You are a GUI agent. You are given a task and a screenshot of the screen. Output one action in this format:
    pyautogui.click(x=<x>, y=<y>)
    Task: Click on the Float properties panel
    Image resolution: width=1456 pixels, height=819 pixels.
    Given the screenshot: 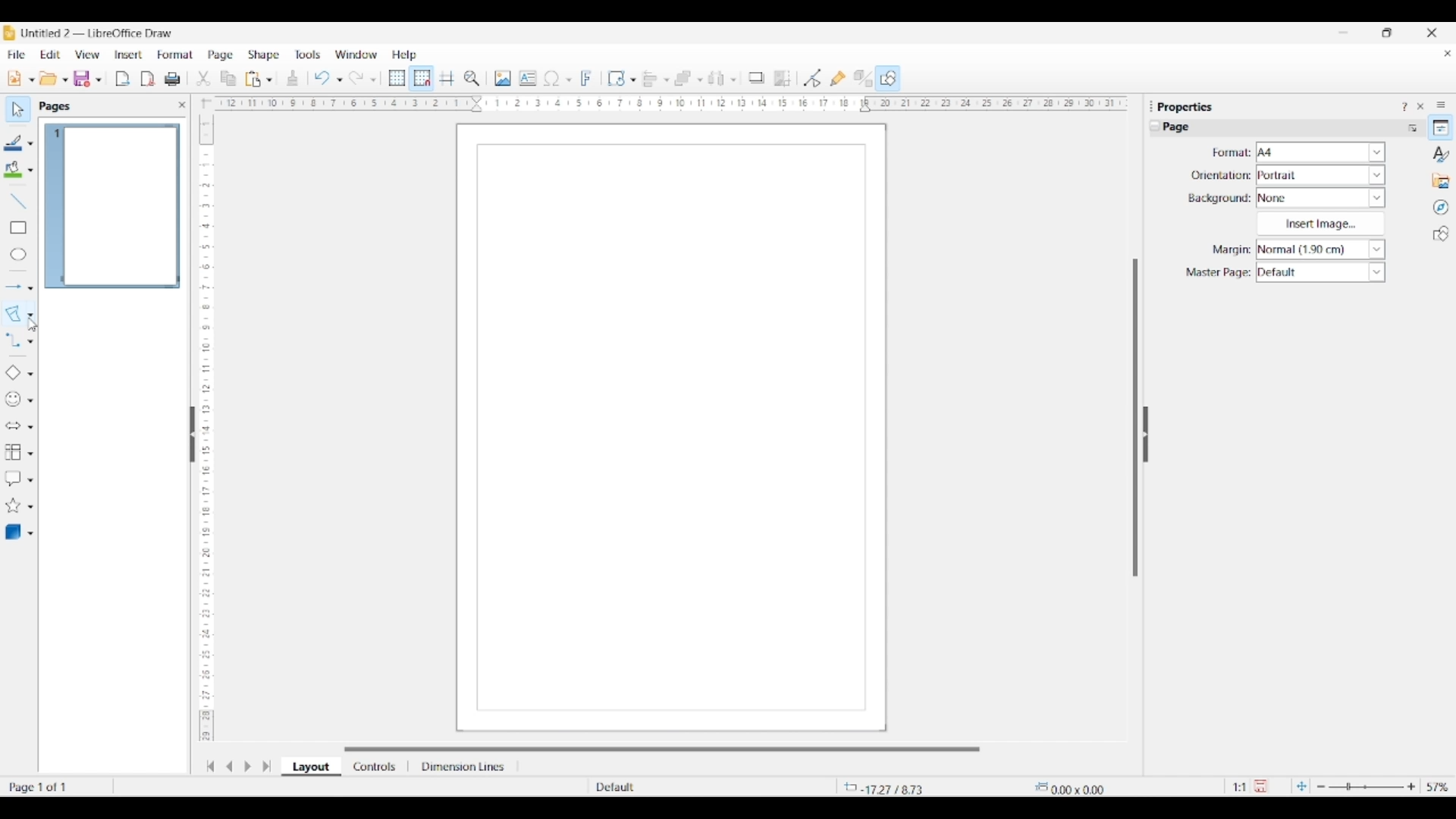 What is the action you would take?
    pyautogui.click(x=1151, y=106)
    